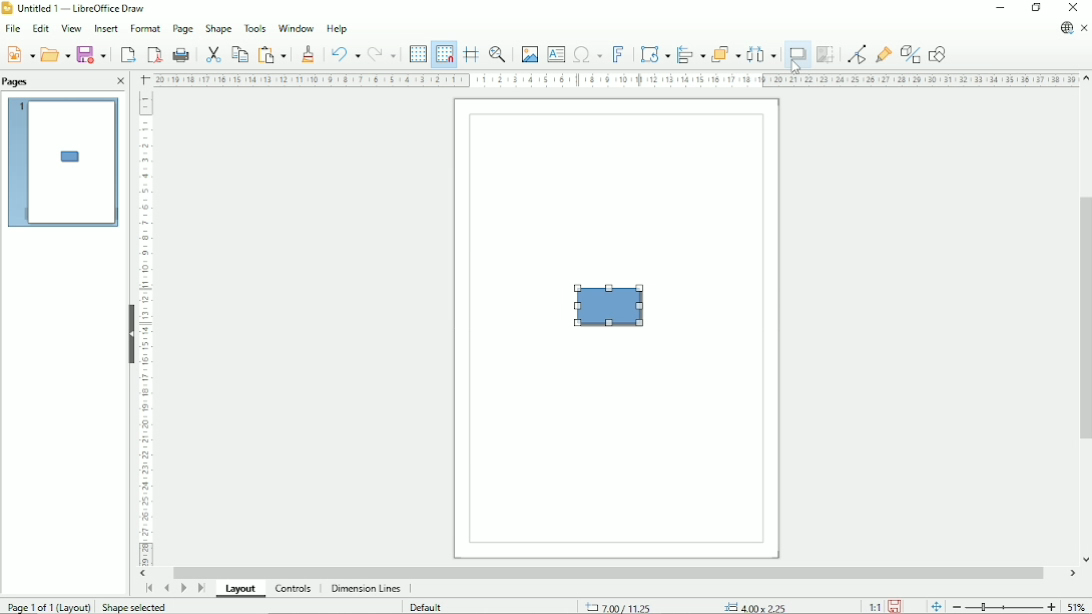 The image size is (1092, 614). What do you see at coordinates (239, 54) in the screenshot?
I see `Copy` at bounding box center [239, 54].